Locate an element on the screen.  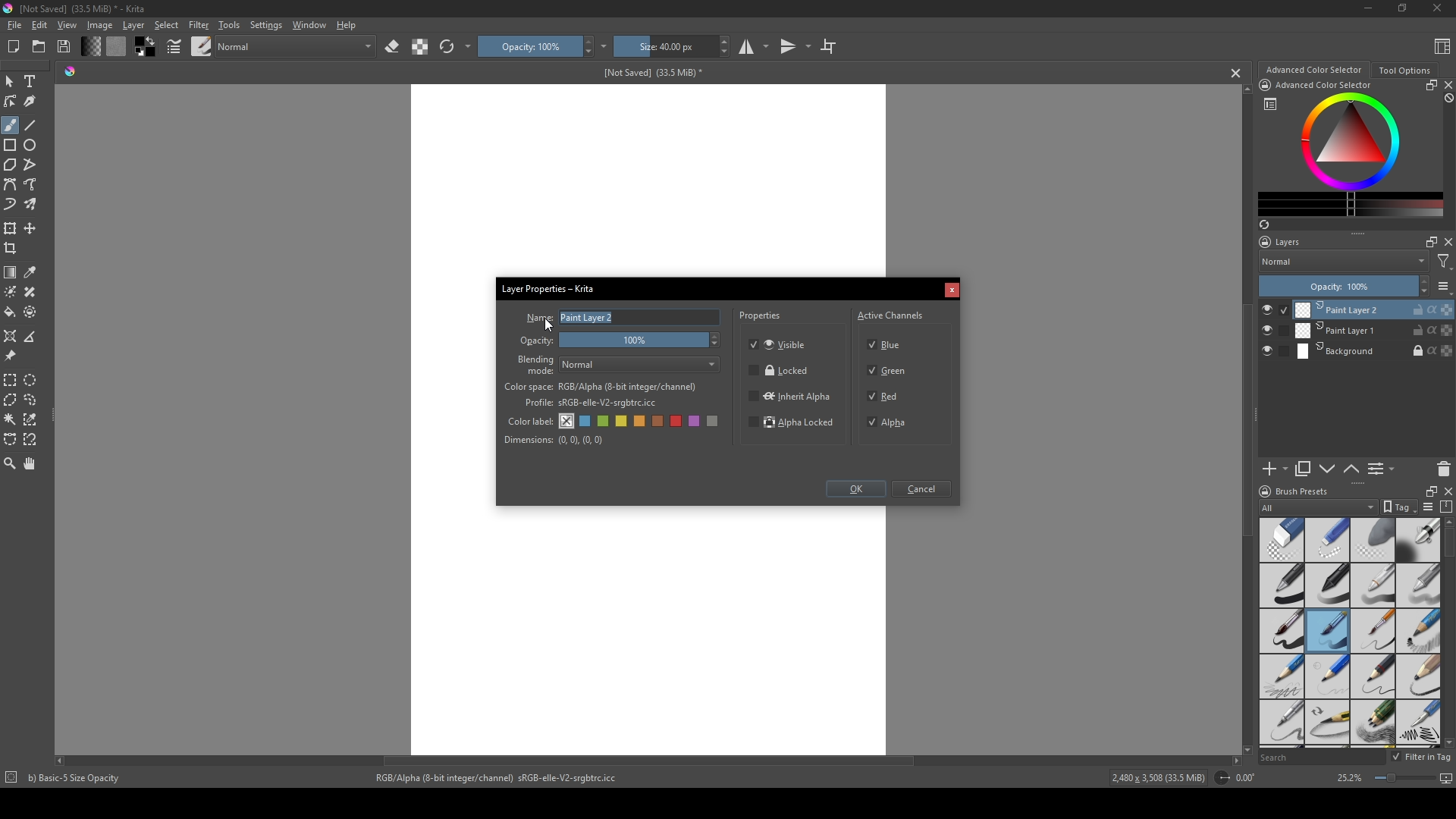
pencil is located at coordinates (1328, 723).